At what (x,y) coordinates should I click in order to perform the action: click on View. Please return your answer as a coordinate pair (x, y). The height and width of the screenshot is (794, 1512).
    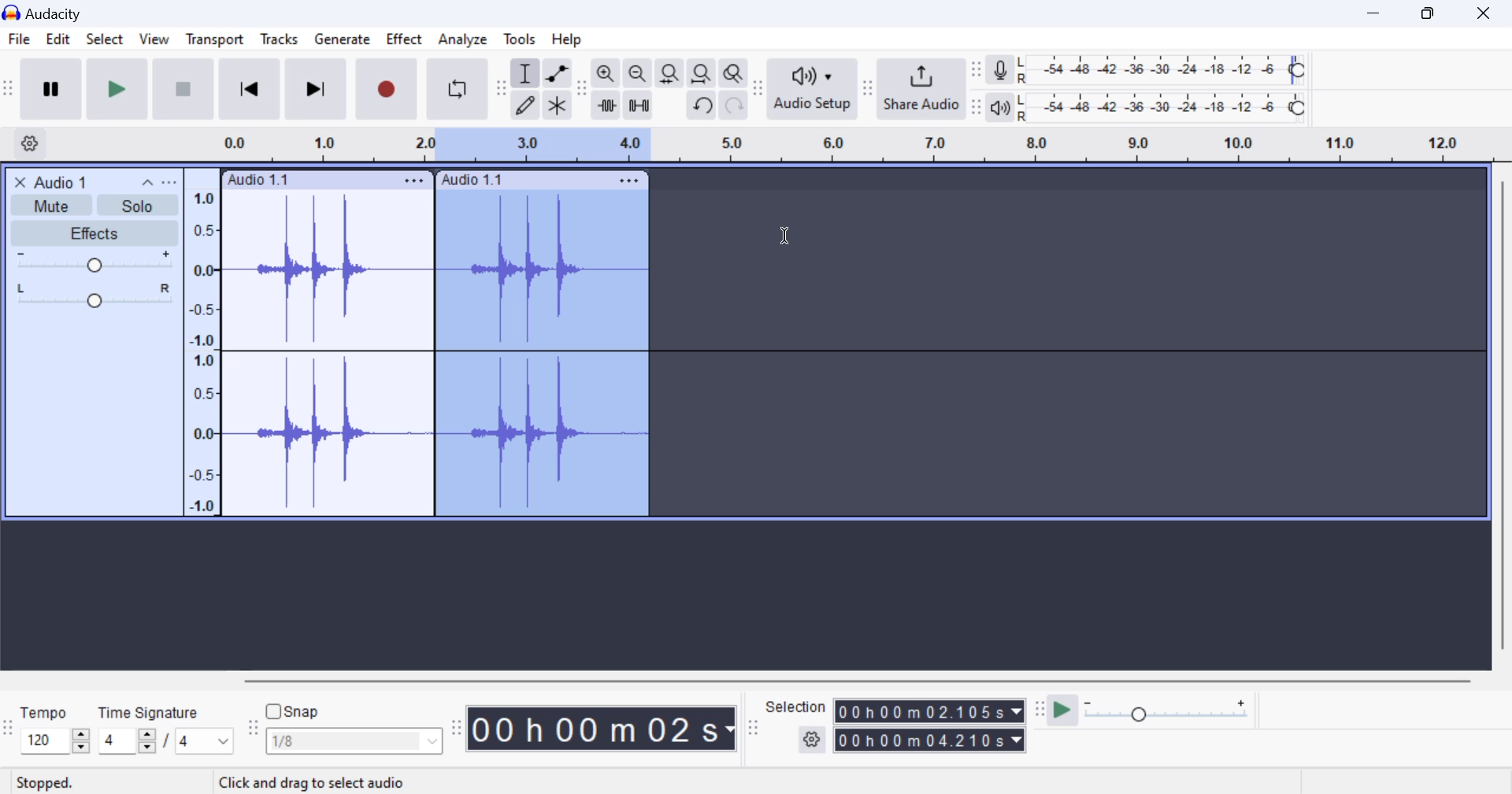
    Looking at the image, I should click on (153, 43).